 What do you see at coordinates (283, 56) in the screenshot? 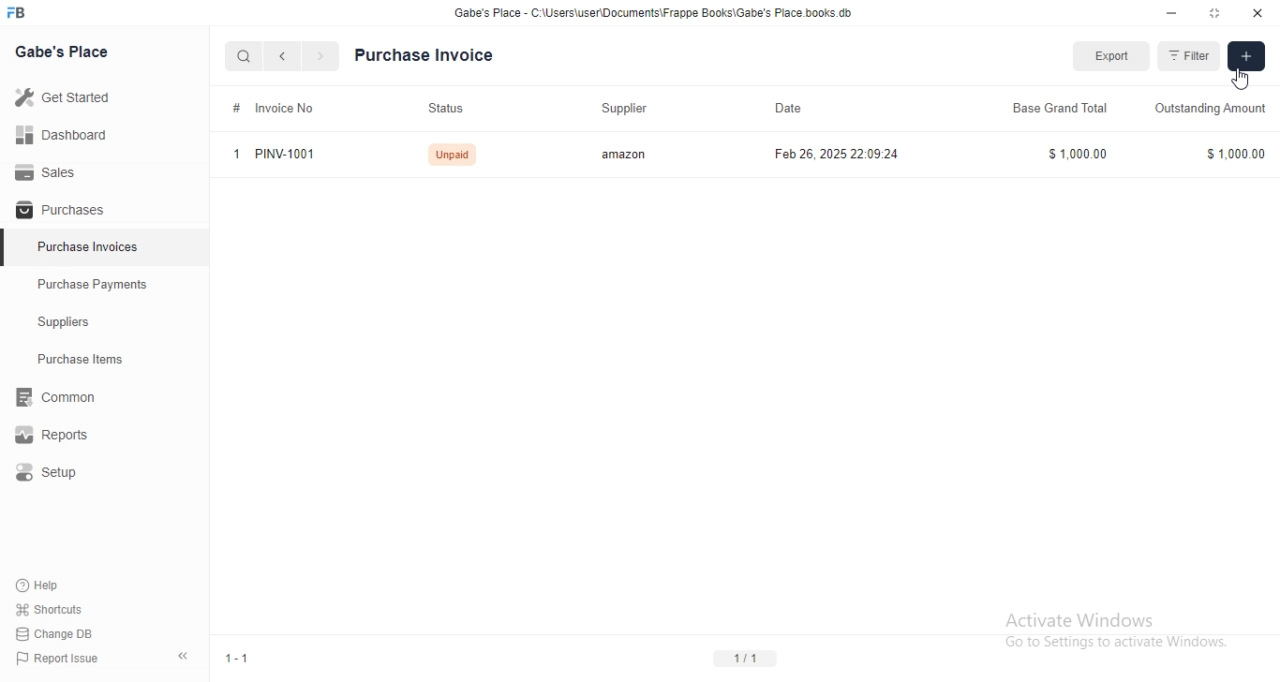
I see `Previous button` at bounding box center [283, 56].